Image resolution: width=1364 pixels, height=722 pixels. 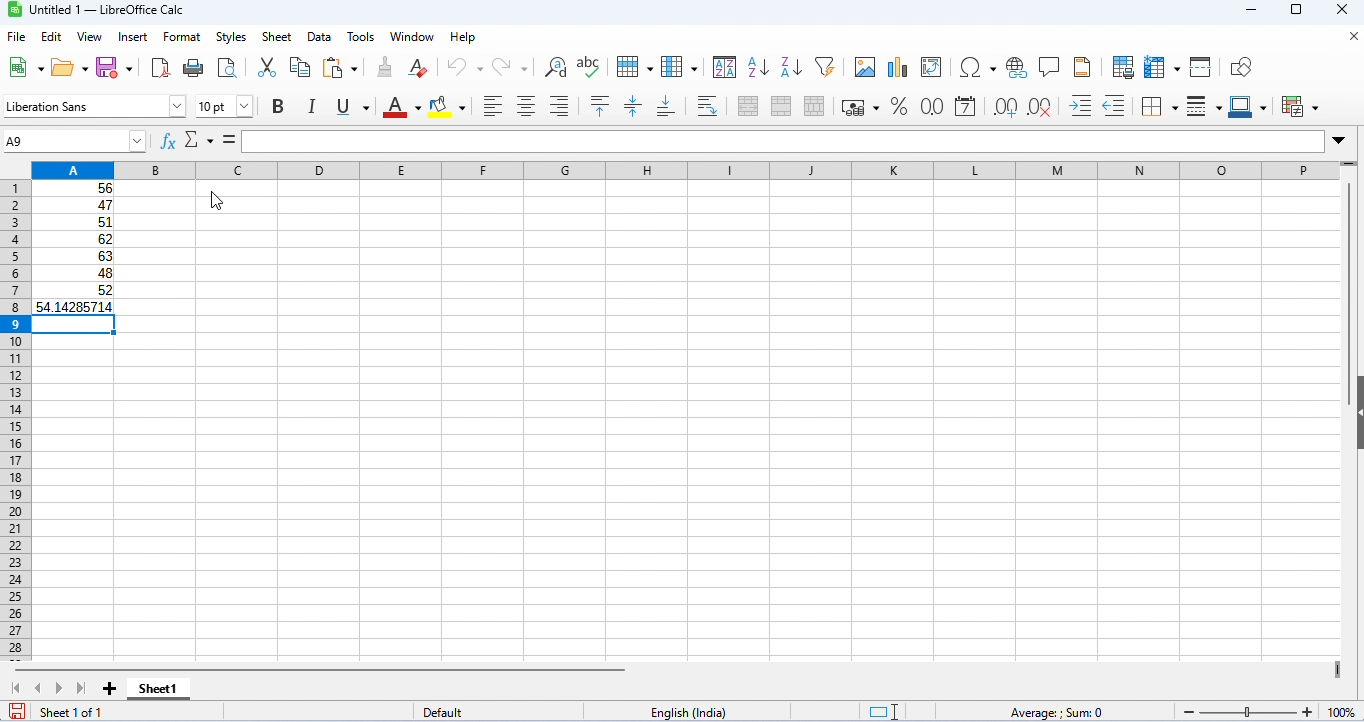 I want to click on clone, so click(x=384, y=66).